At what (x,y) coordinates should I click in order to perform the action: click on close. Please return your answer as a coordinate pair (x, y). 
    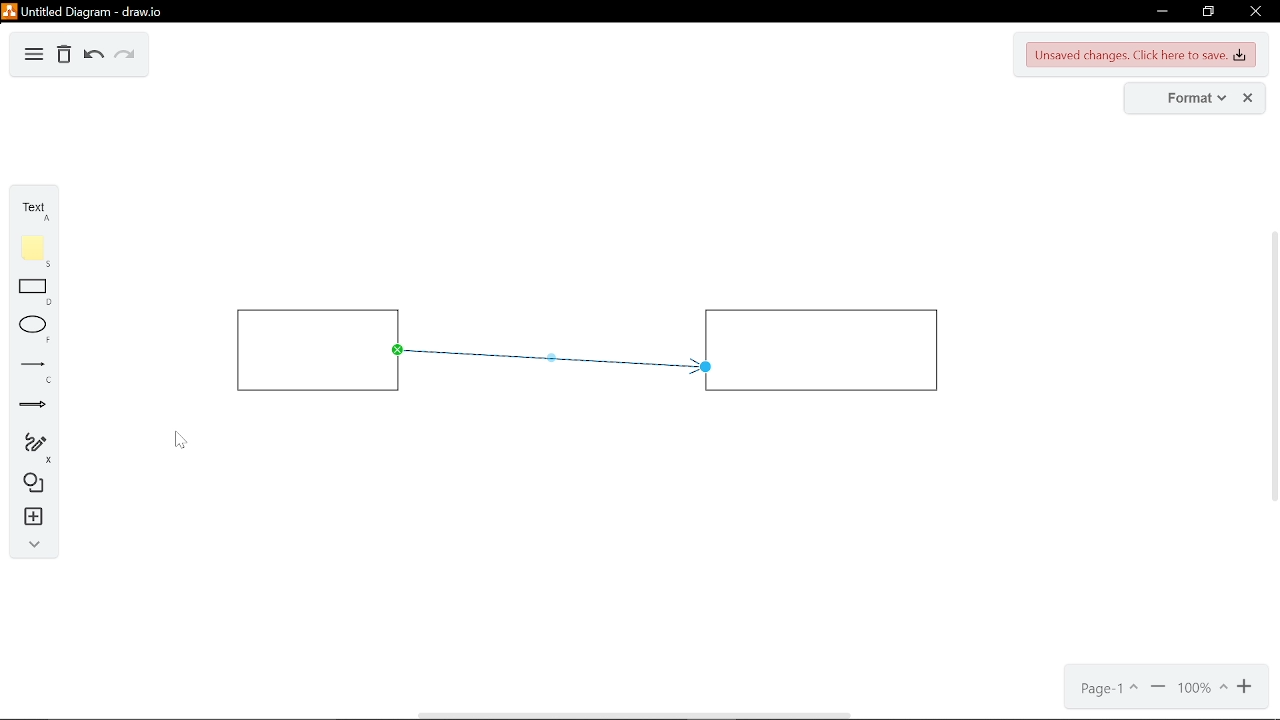
    Looking at the image, I should click on (1258, 14).